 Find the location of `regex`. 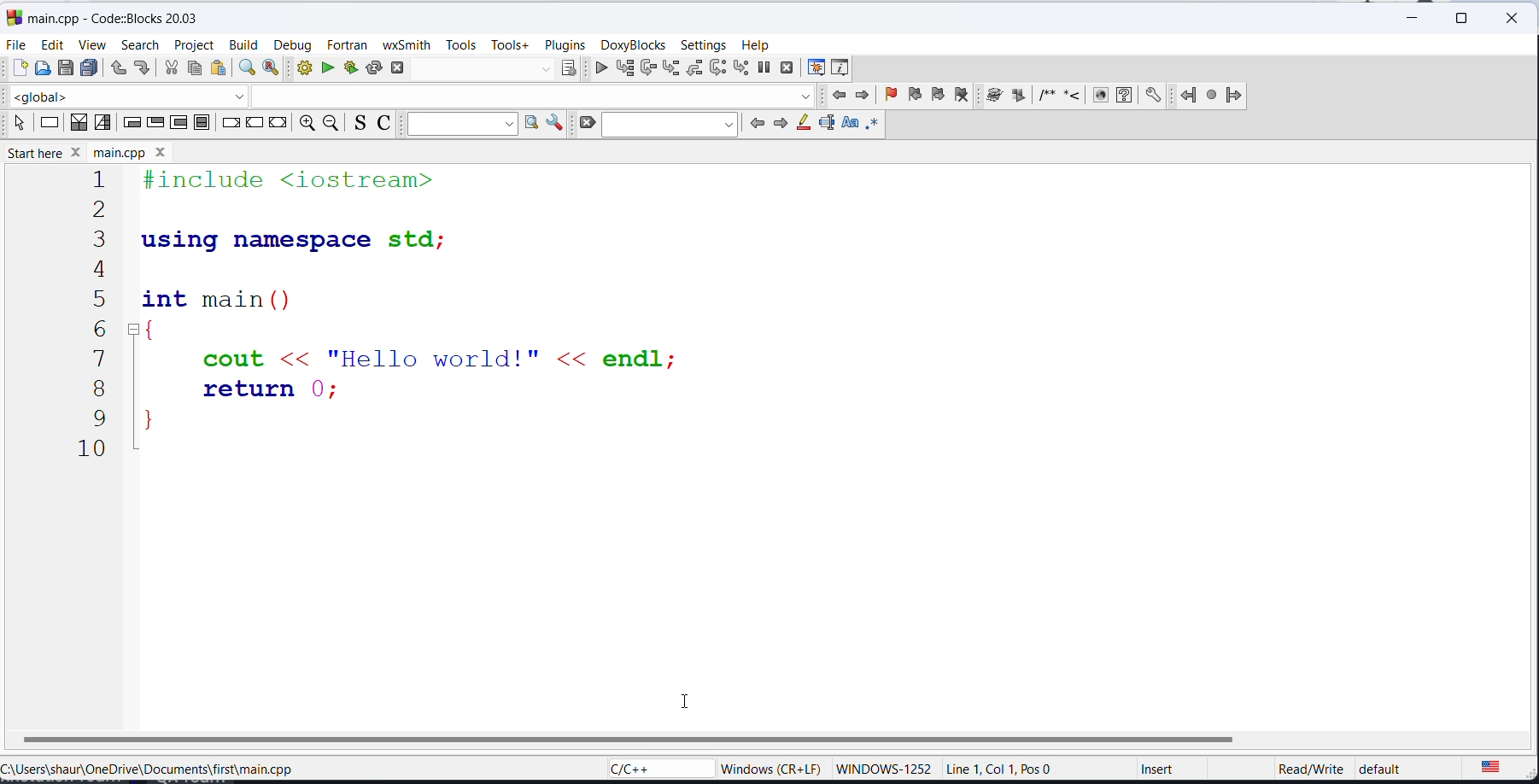

regex is located at coordinates (871, 125).